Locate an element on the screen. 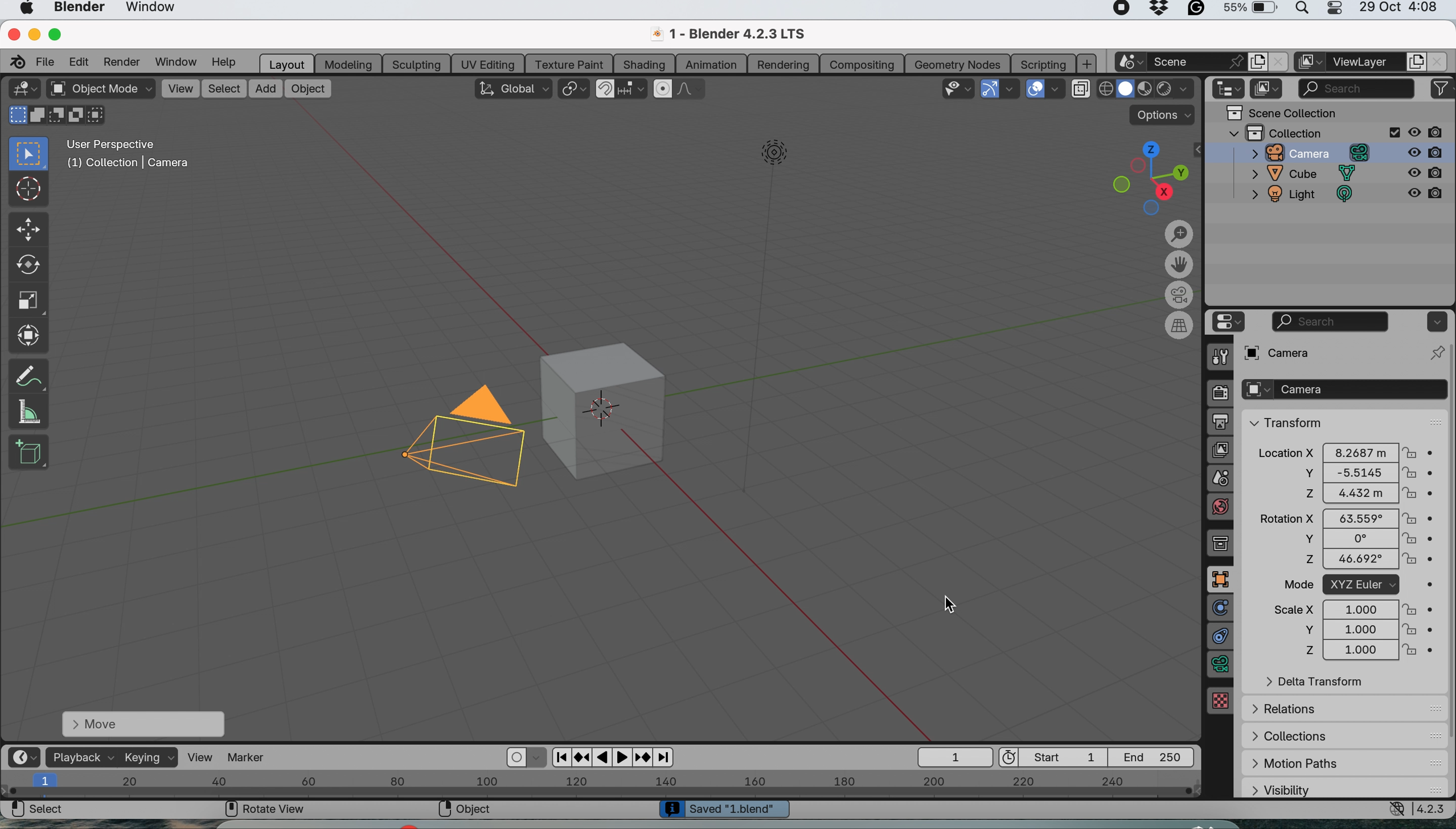 Image resolution: width=1456 pixels, height=829 pixels. close is located at coordinates (1278, 62).